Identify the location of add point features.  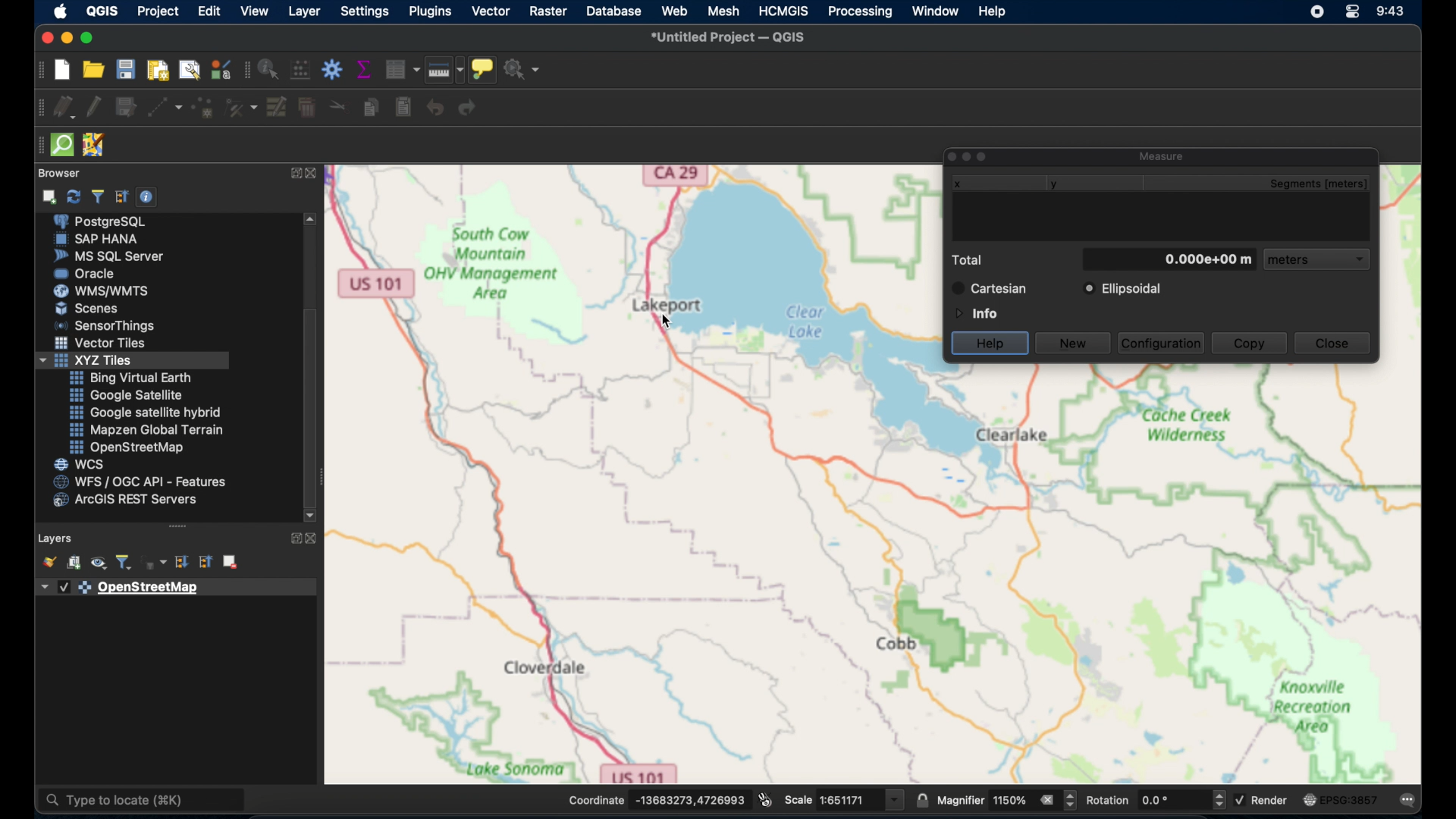
(203, 108).